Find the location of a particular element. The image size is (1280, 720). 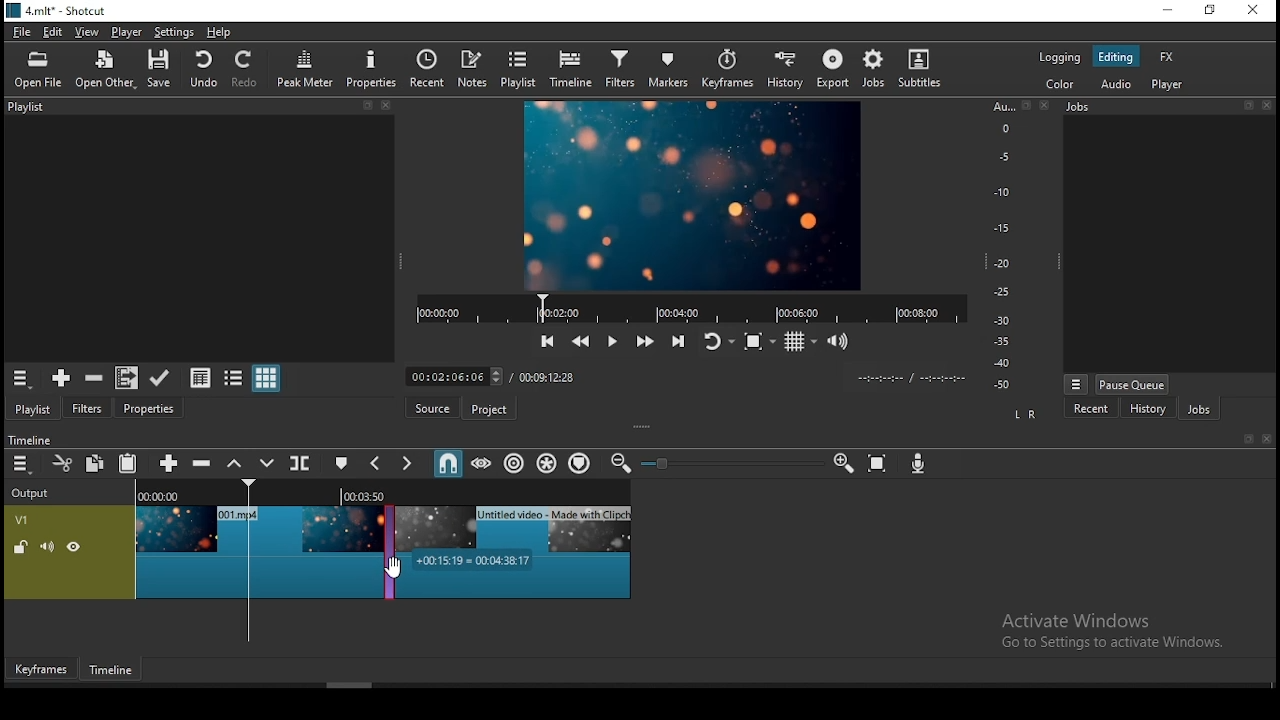

update is located at coordinates (159, 376).